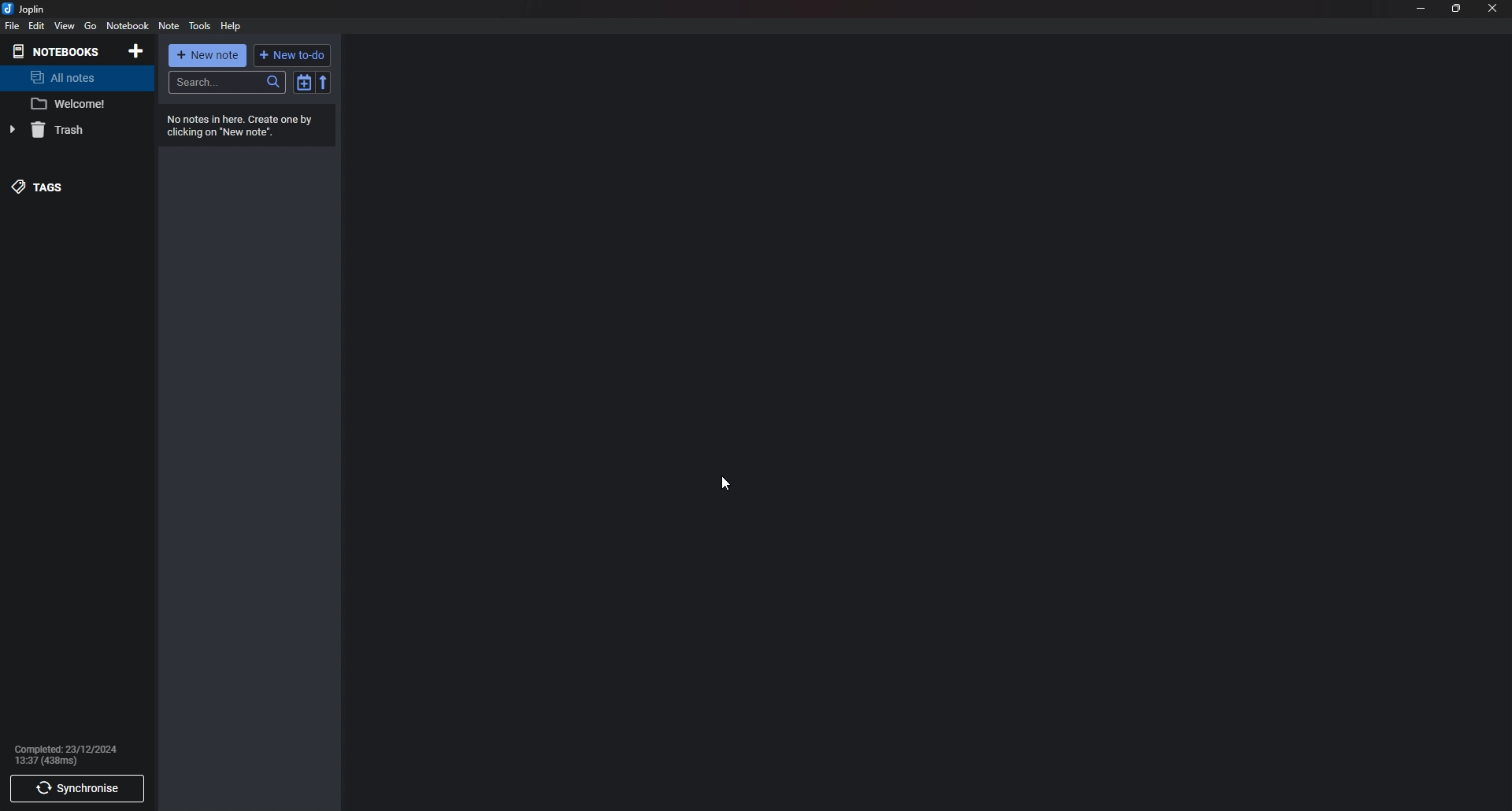 Image resolution: width=1512 pixels, height=811 pixels. What do you see at coordinates (72, 105) in the screenshot?
I see `Welcome` at bounding box center [72, 105].